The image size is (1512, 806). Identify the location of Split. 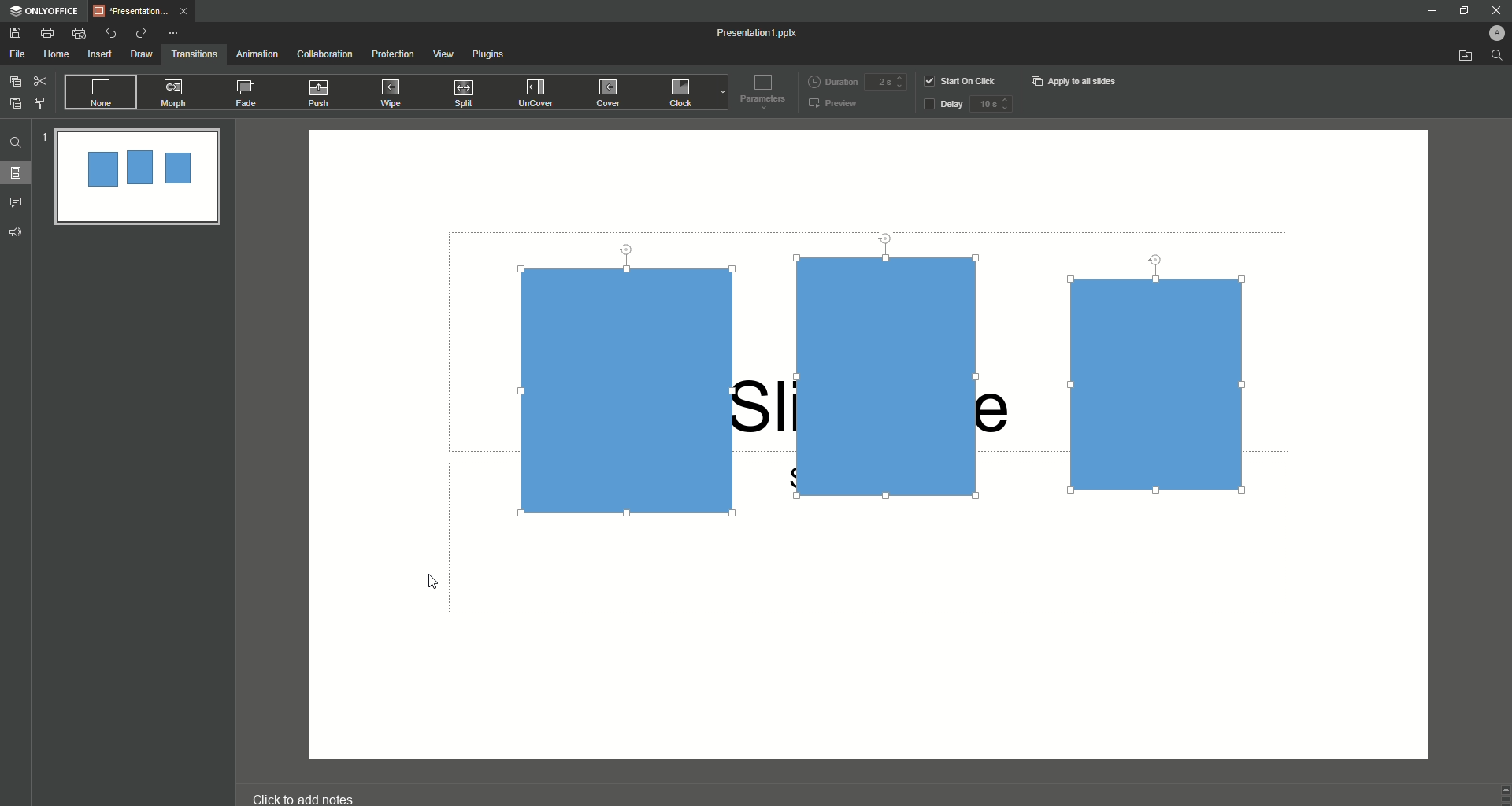
(467, 94).